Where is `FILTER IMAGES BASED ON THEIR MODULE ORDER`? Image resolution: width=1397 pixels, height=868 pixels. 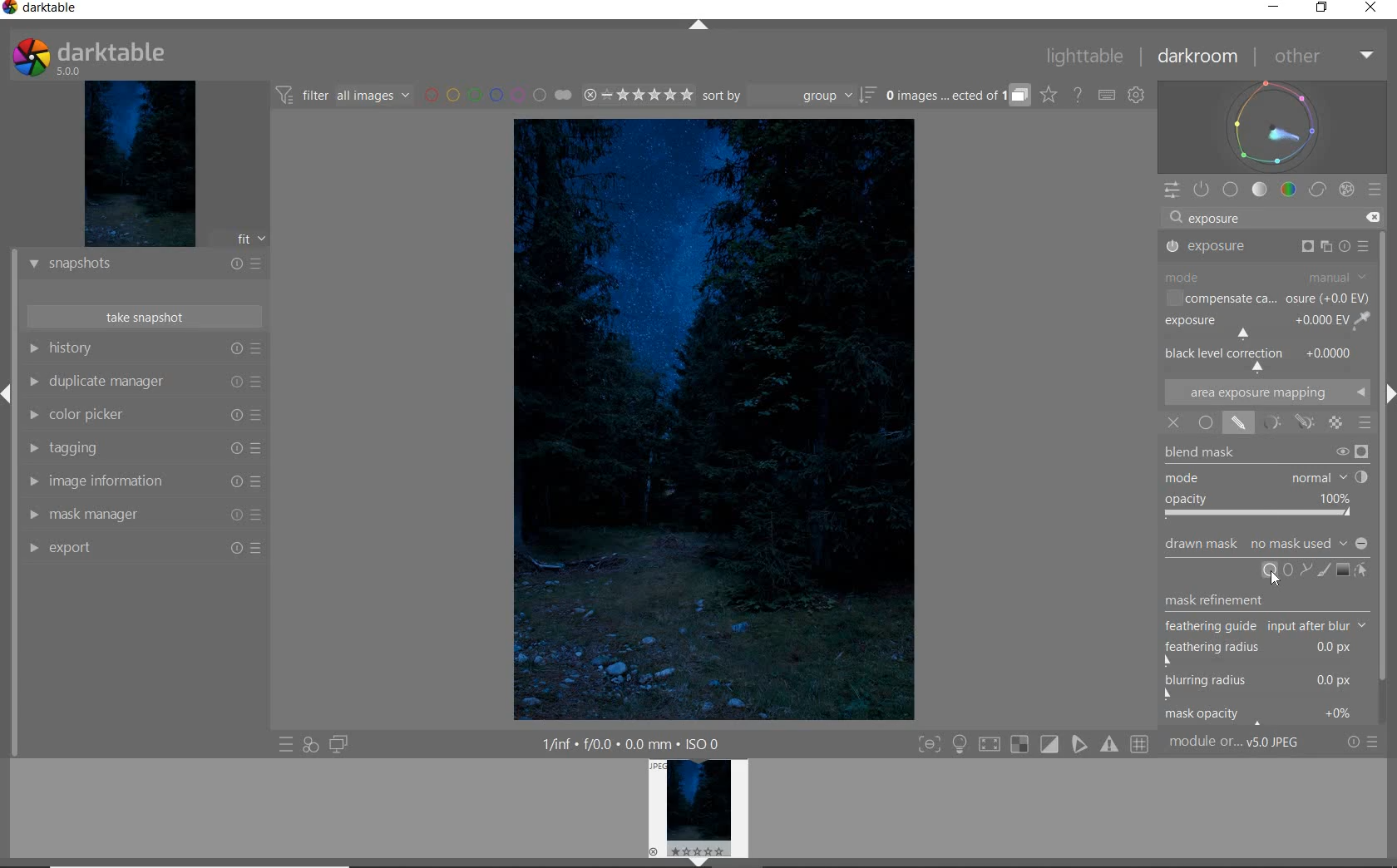
FILTER IMAGES BASED ON THEIR MODULE ORDER is located at coordinates (345, 96).